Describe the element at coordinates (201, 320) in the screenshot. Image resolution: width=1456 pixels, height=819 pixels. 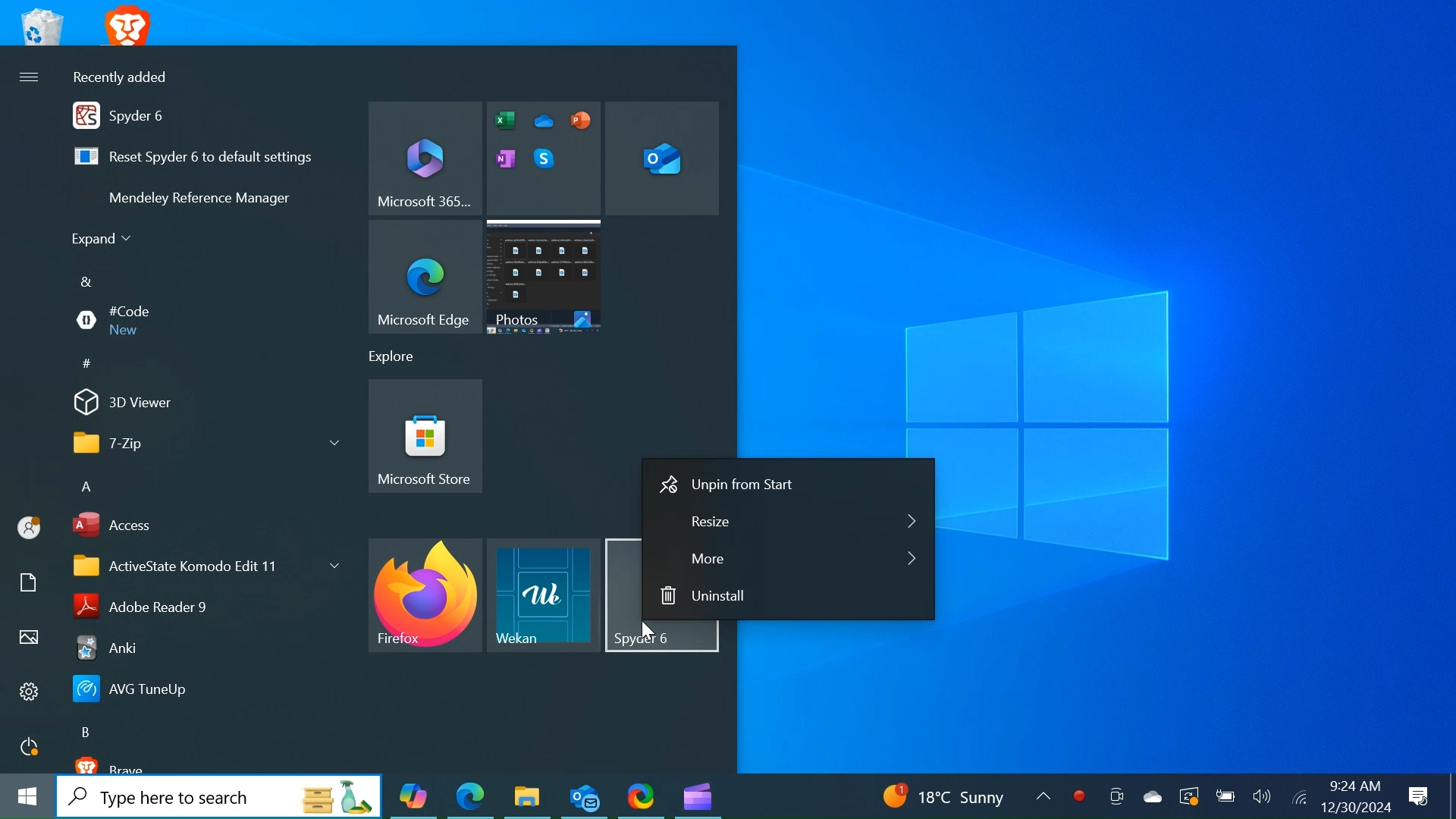
I see `#Code` at that location.